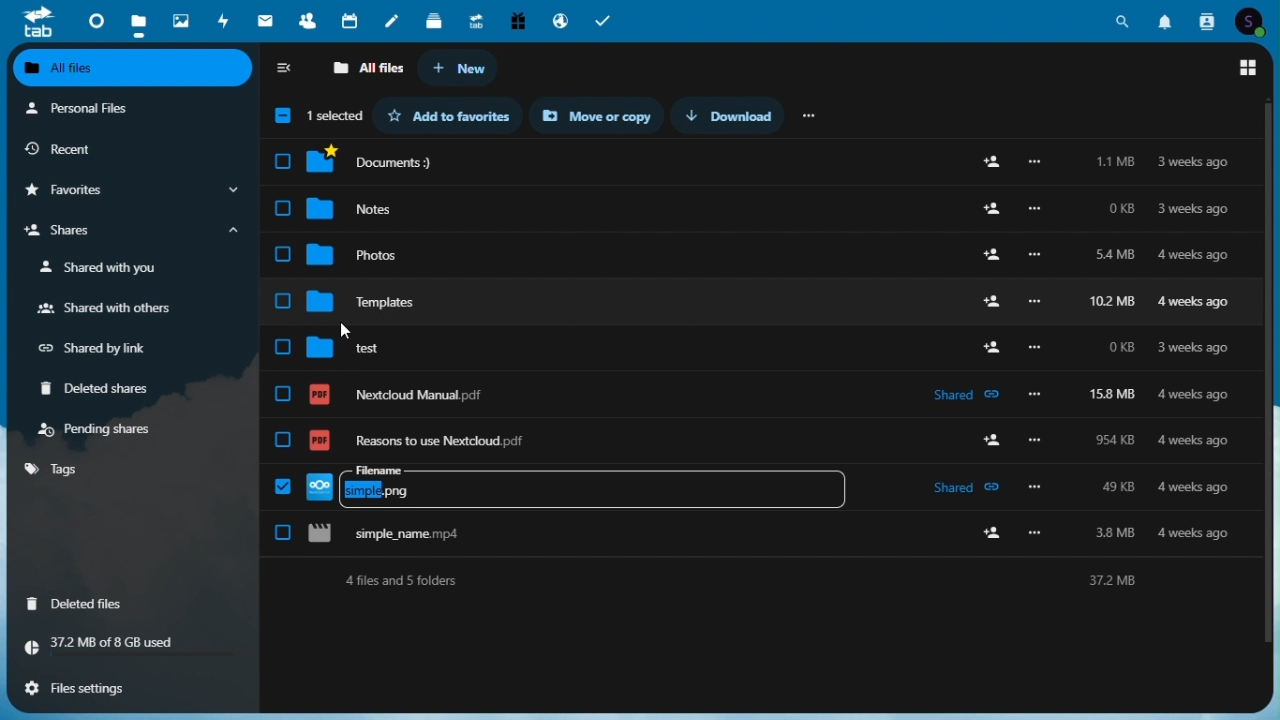 The width and height of the screenshot is (1280, 720). I want to click on switch to grid view, so click(1249, 68).